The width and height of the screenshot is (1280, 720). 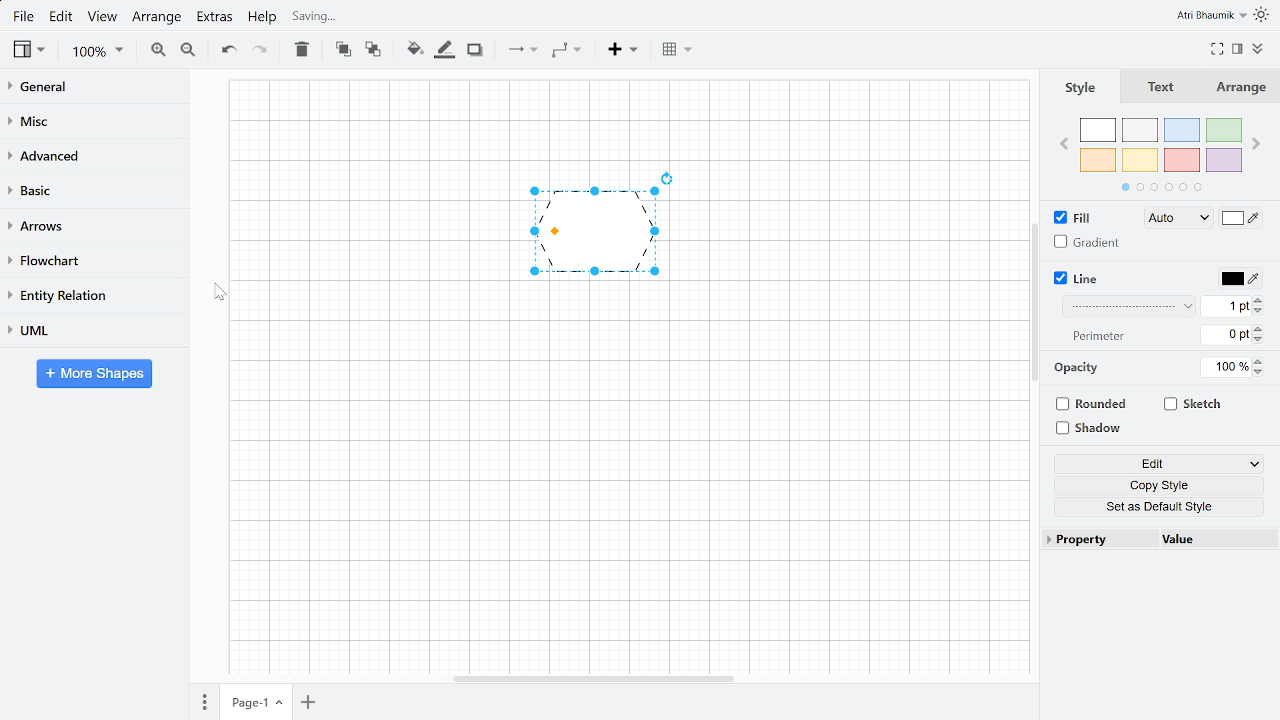 I want to click on More shapes, so click(x=94, y=374).